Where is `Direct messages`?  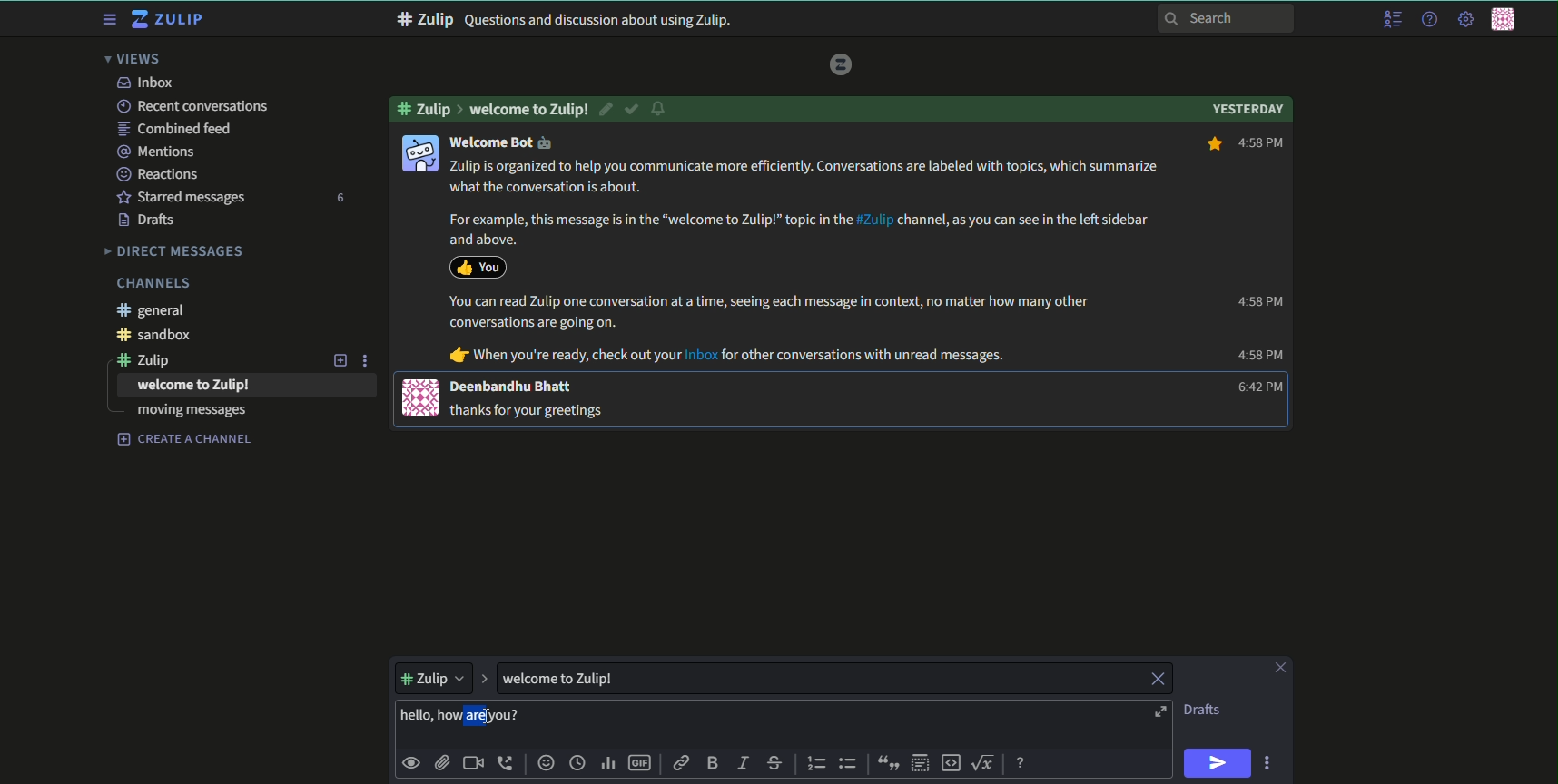
Direct messages is located at coordinates (175, 250).